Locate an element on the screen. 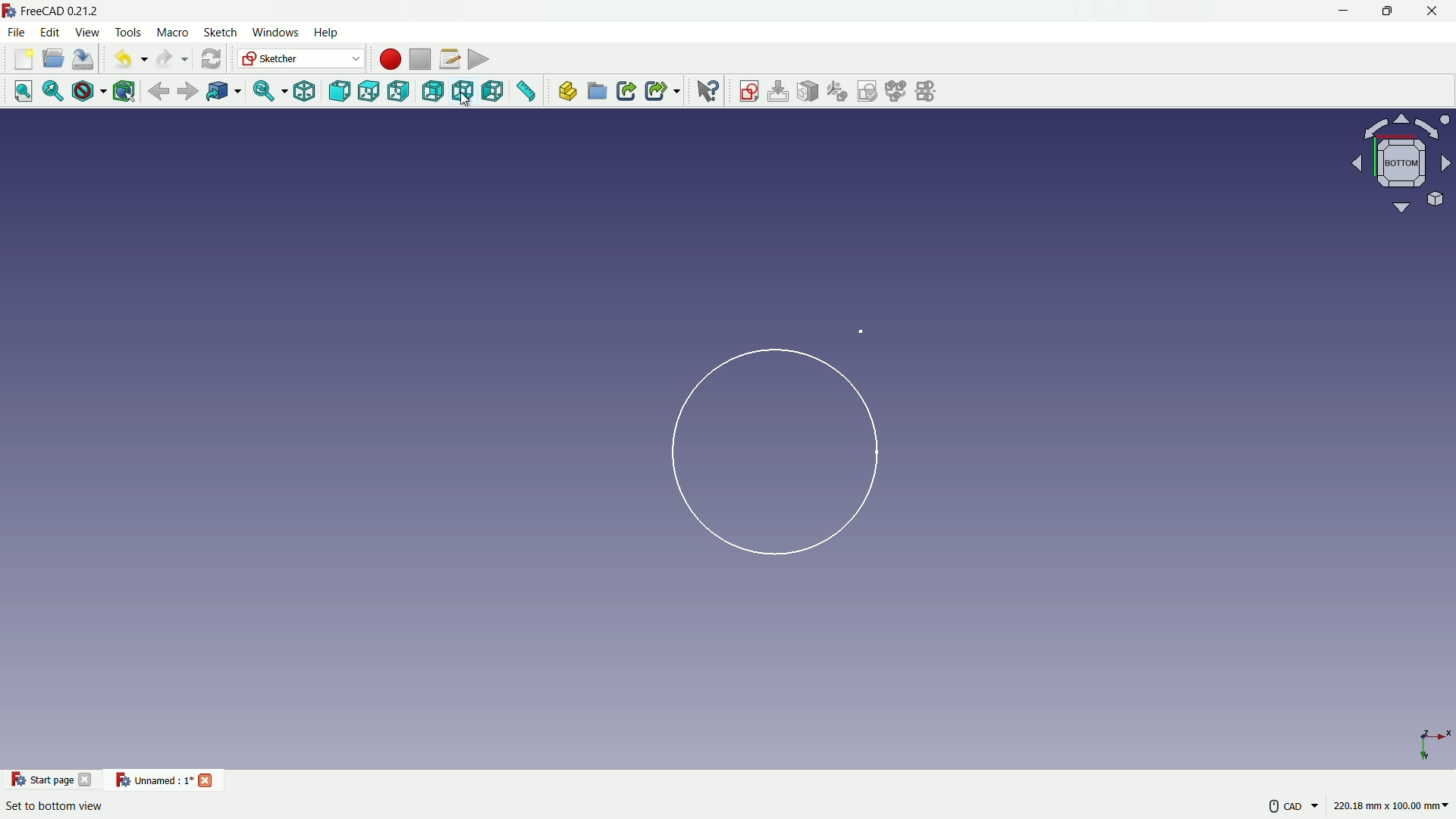 Image resolution: width=1456 pixels, height=819 pixels. help is located at coordinates (708, 92).